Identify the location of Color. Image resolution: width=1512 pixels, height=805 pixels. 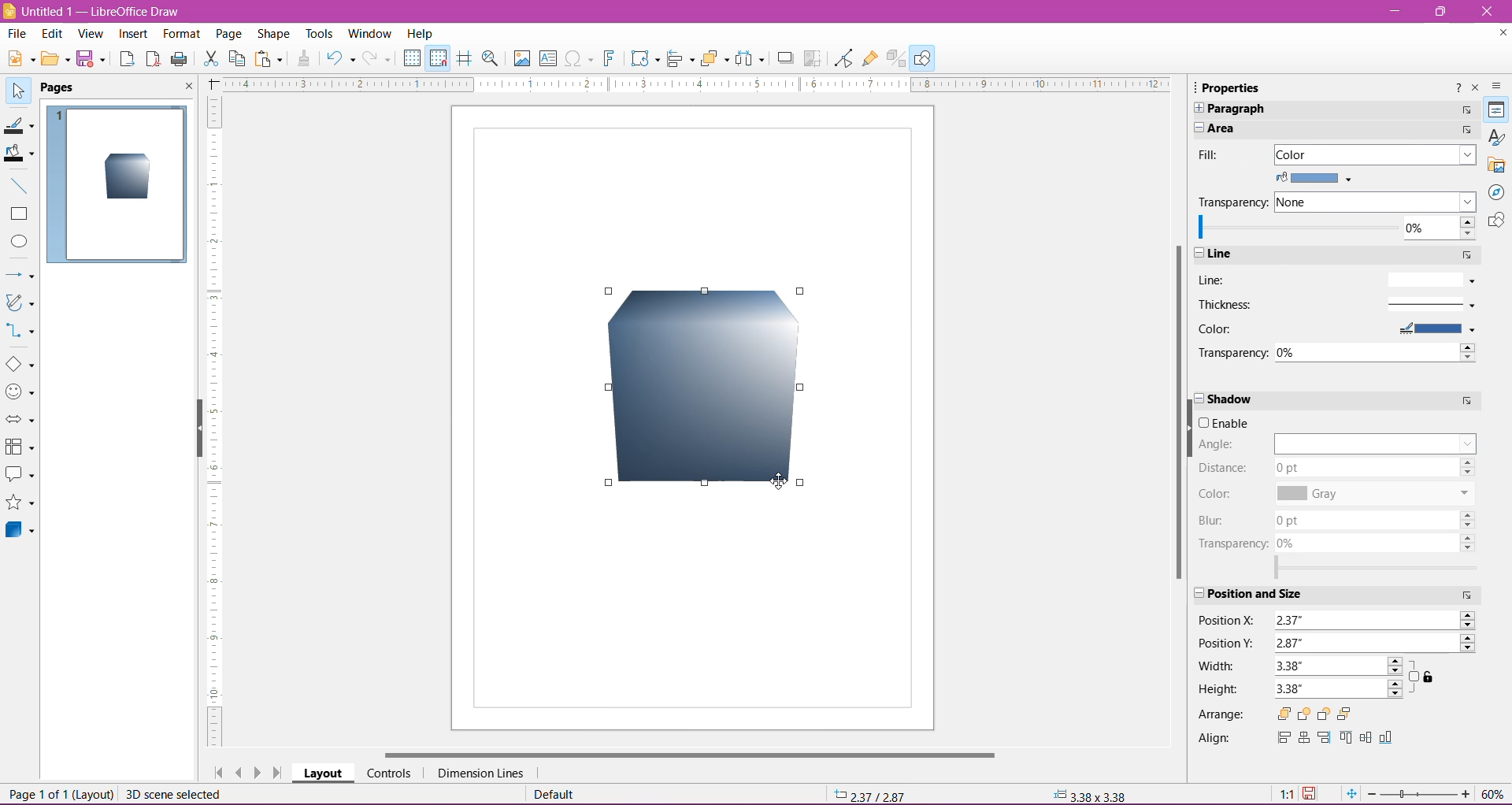
(1217, 329).